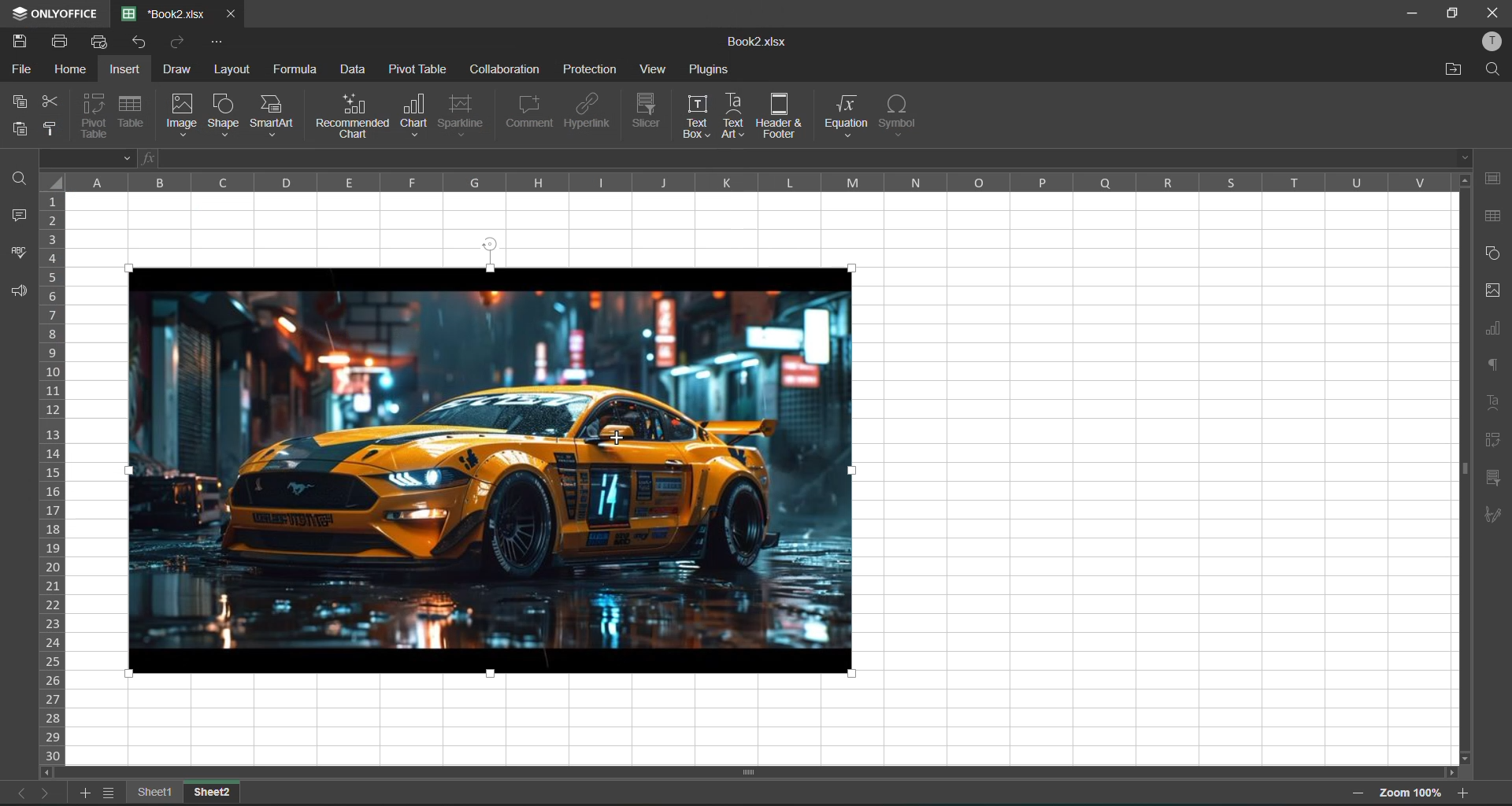 Image resolution: width=1512 pixels, height=806 pixels. What do you see at coordinates (133, 112) in the screenshot?
I see `table` at bounding box center [133, 112].